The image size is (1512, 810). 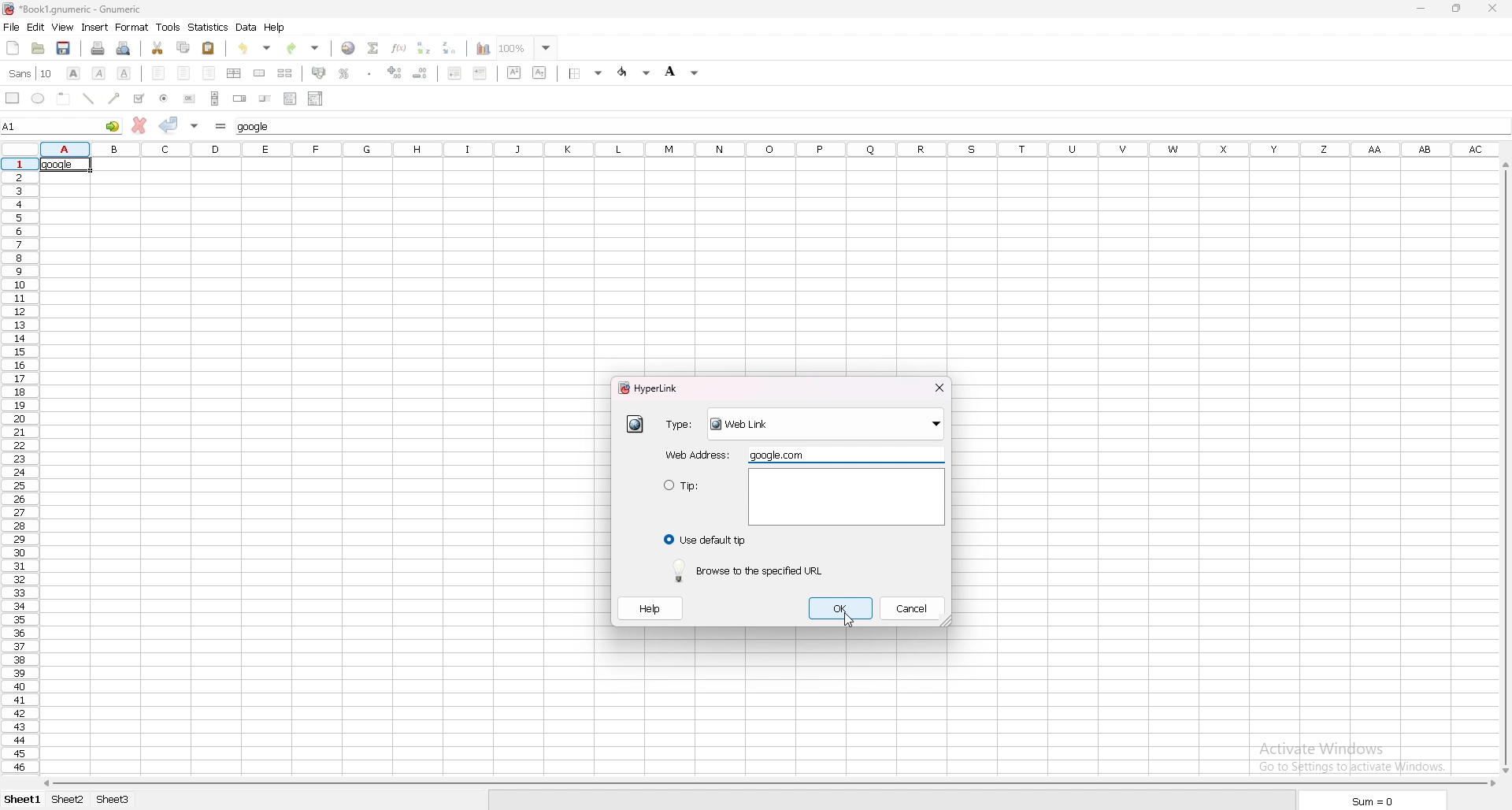 What do you see at coordinates (699, 455) in the screenshot?
I see `Web address` at bounding box center [699, 455].